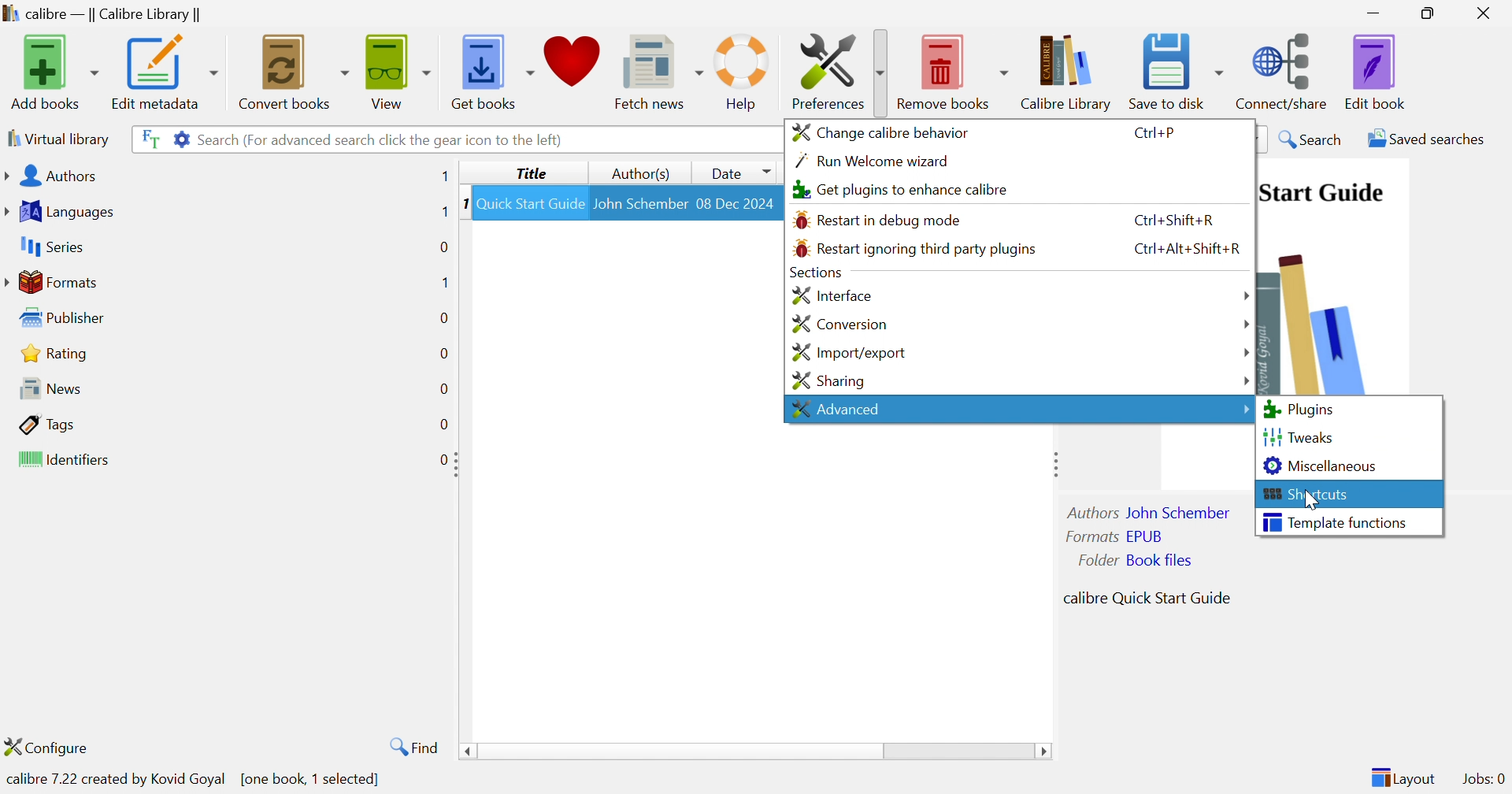 The image size is (1512, 794). What do you see at coordinates (1432, 14) in the screenshot?
I see `Restore Down` at bounding box center [1432, 14].